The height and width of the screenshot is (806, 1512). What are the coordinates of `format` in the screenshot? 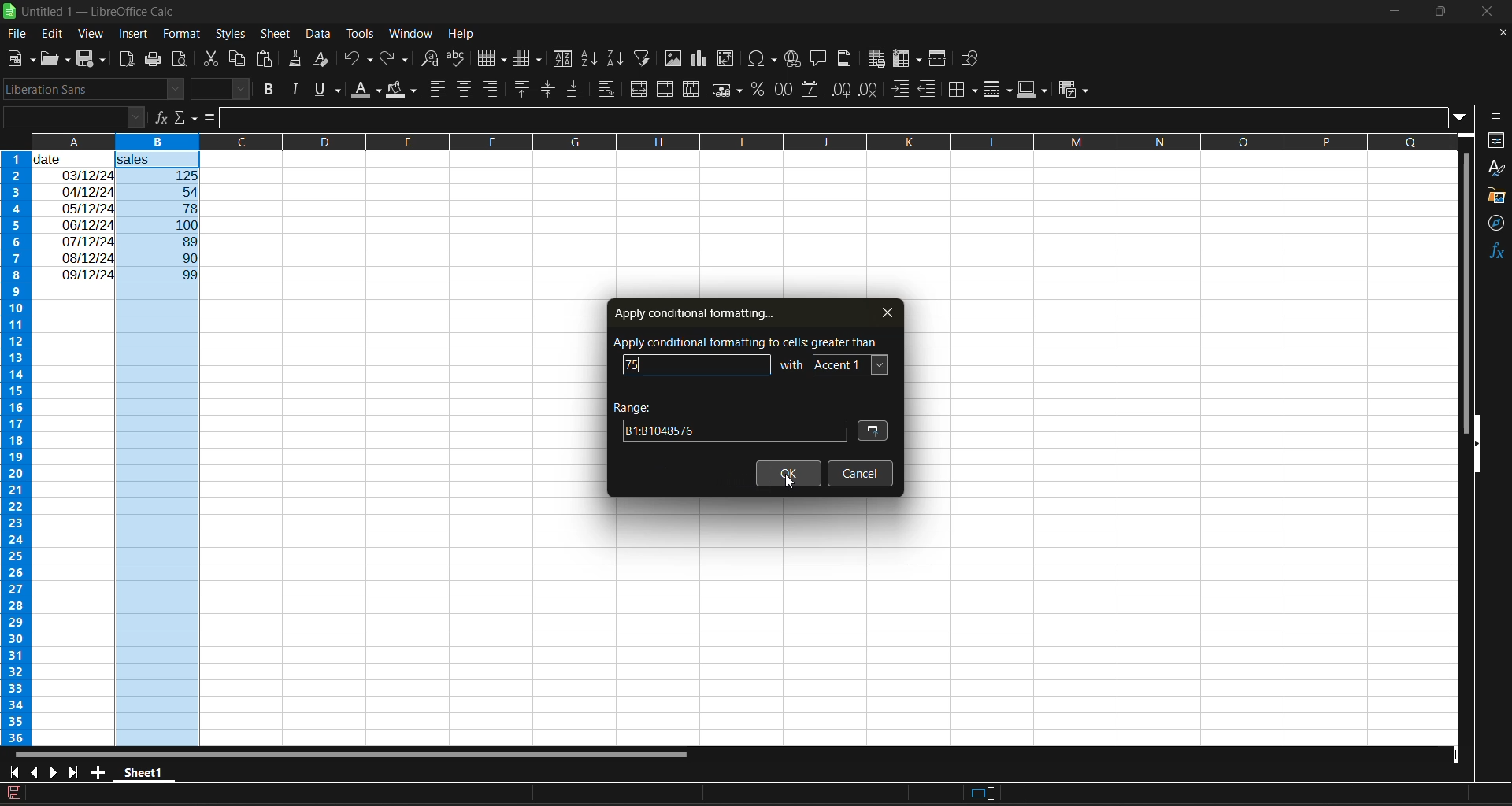 It's located at (178, 32).